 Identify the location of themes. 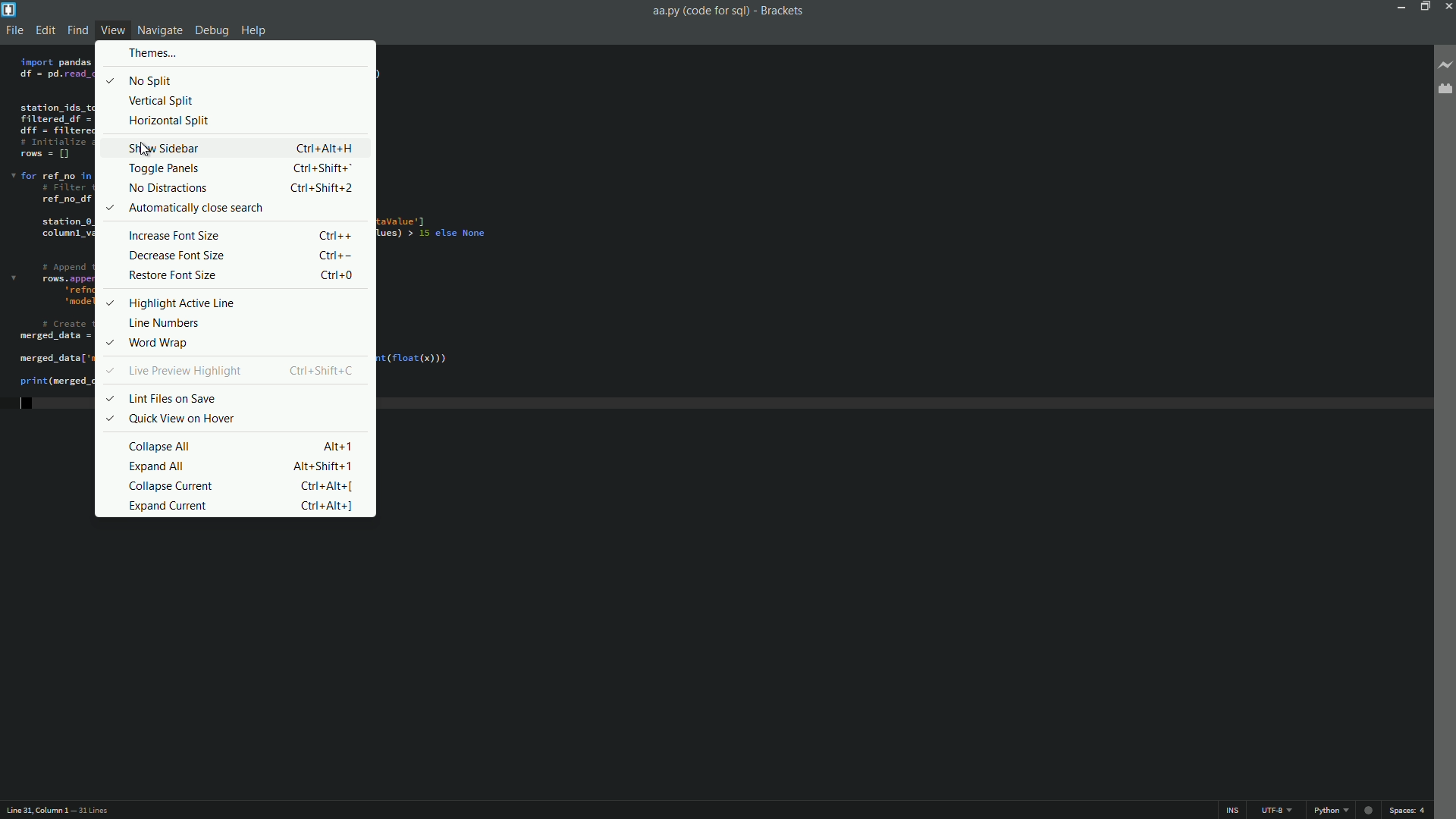
(151, 53).